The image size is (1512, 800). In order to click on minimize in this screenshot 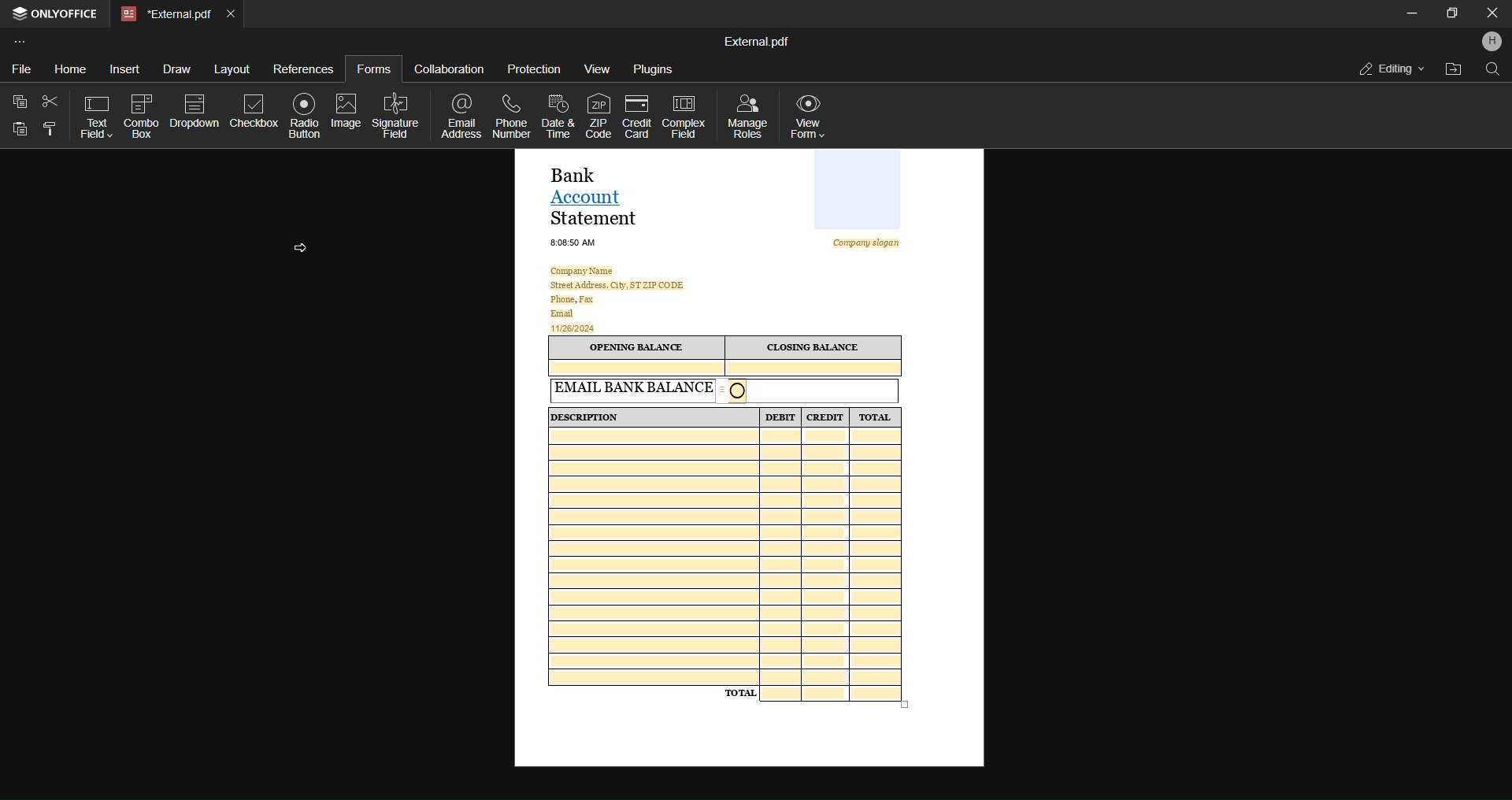, I will do `click(1410, 16)`.